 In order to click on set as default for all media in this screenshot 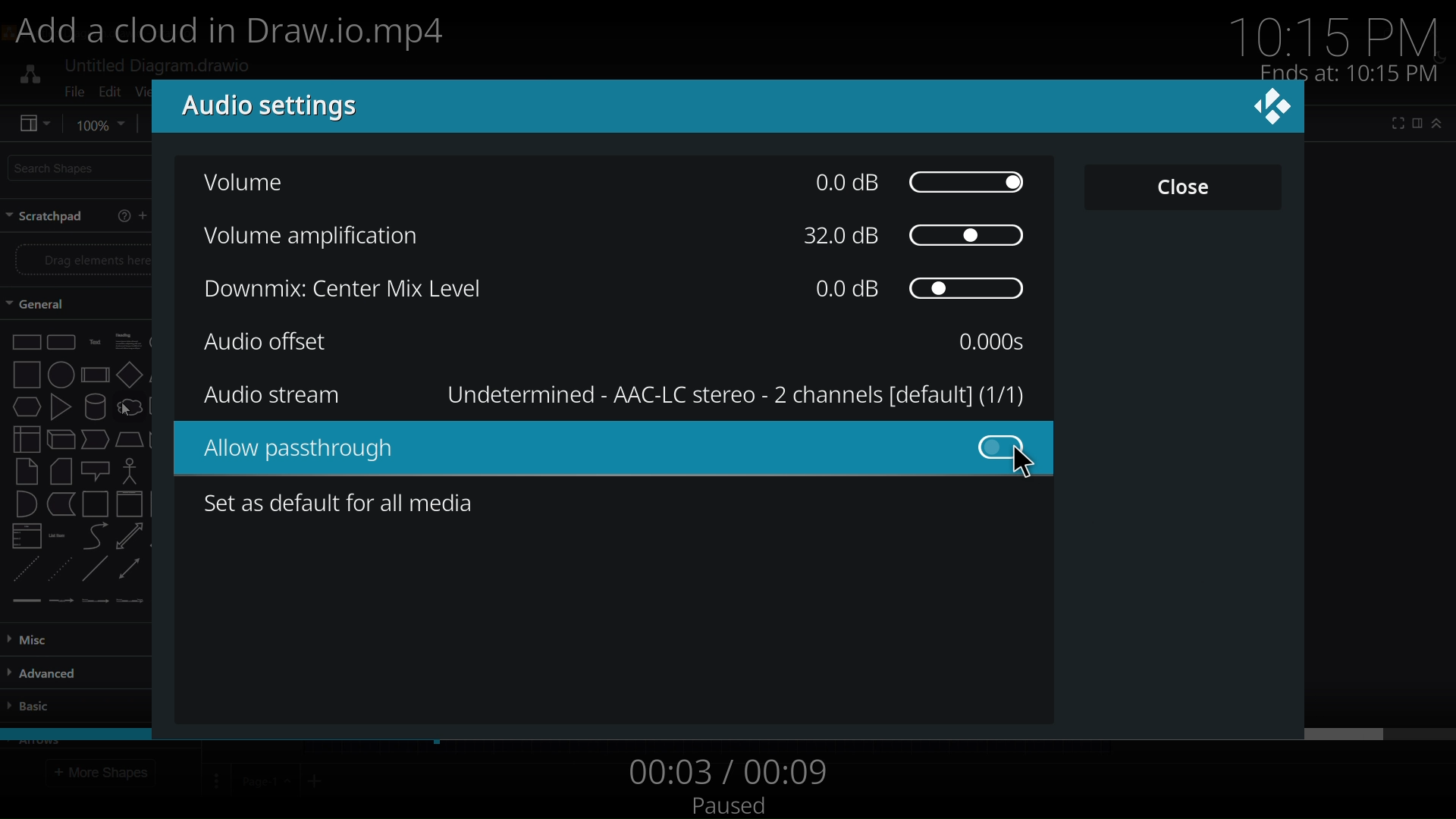, I will do `click(341, 503)`.